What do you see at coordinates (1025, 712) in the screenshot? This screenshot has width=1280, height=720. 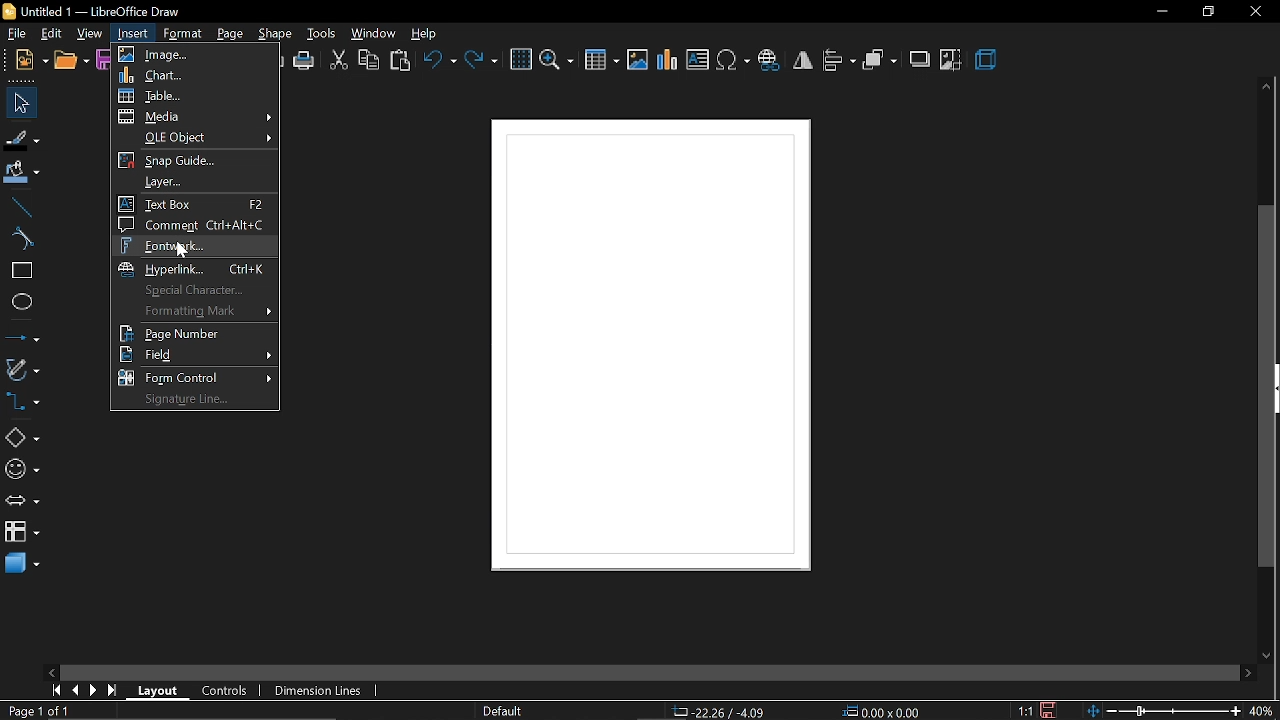 I see `scaling factor` at bounding box center [1025, 712].